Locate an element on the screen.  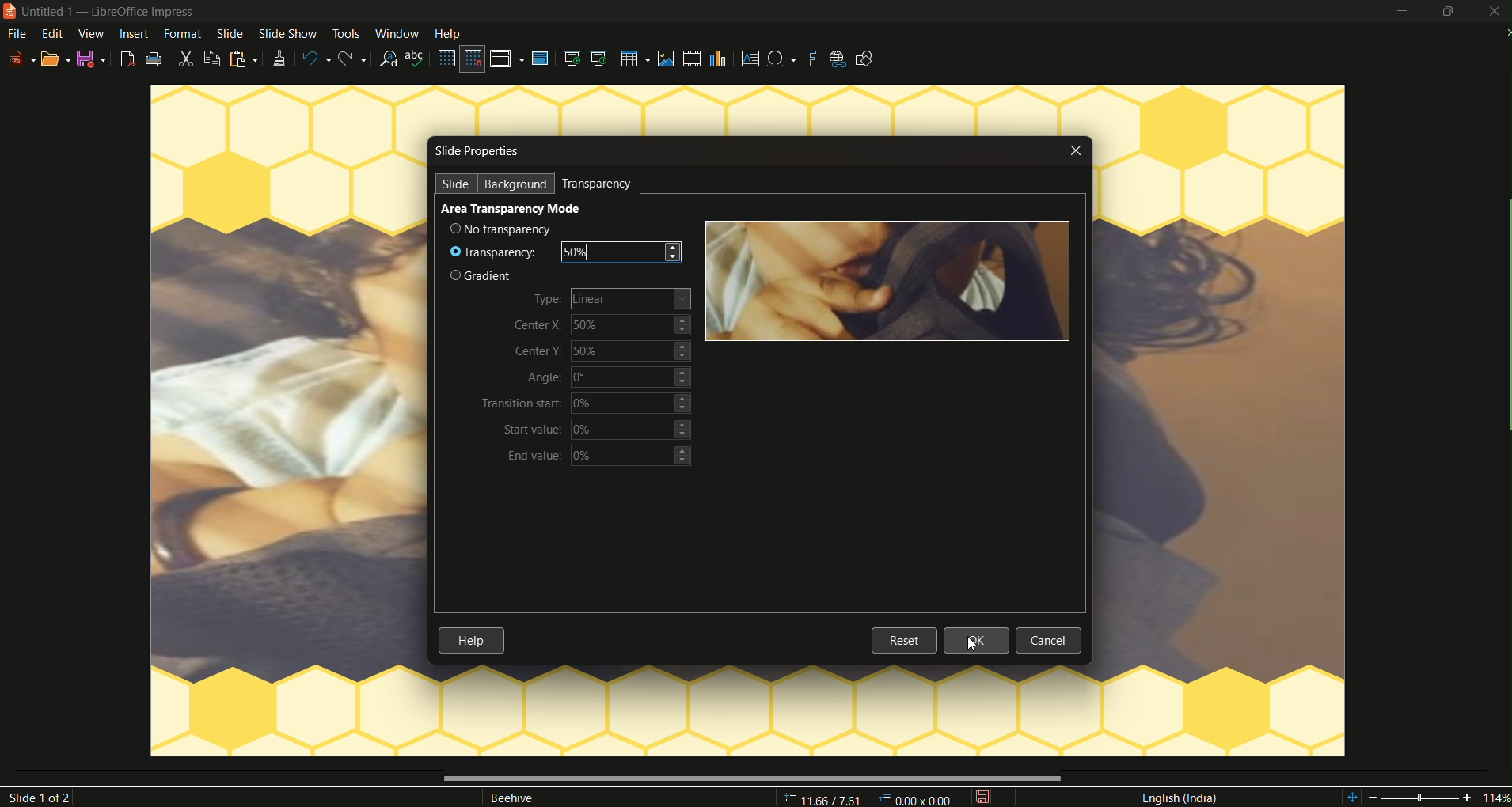
minimize is located at coordinates (1403, 12).